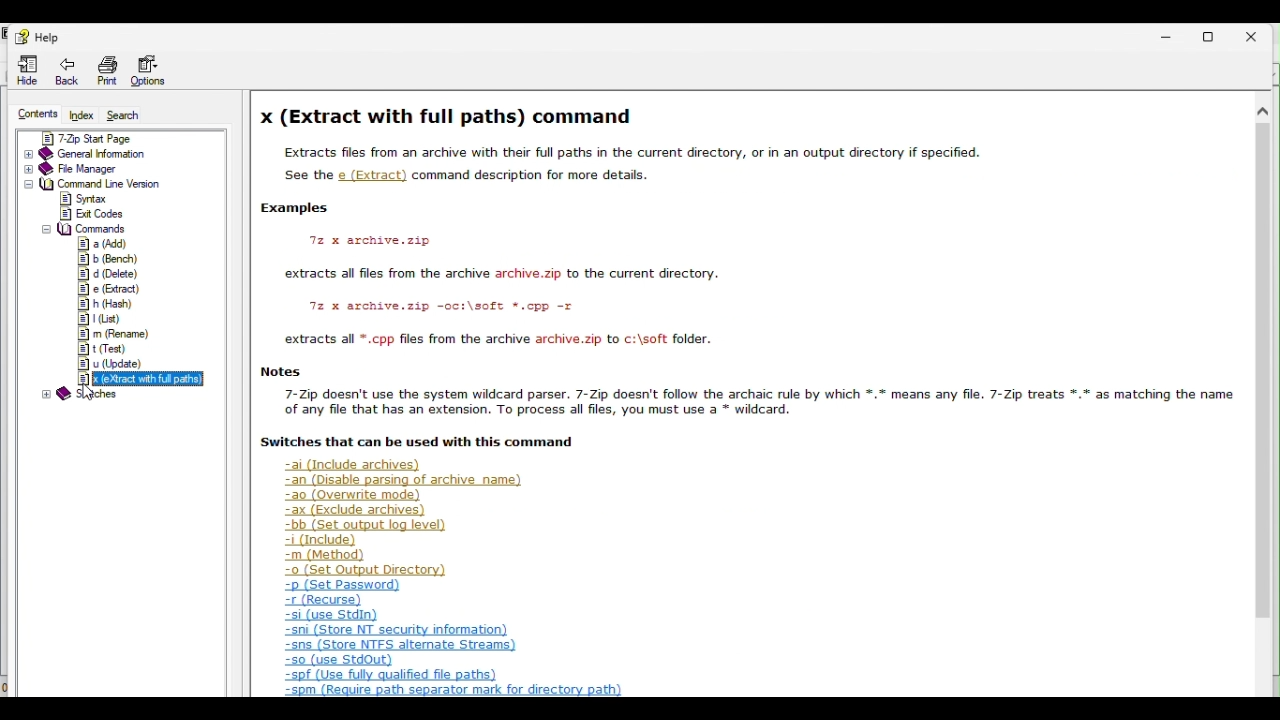  Describe the element at coordinates (340, 661) in the screenshot. I see `-so` at that location.